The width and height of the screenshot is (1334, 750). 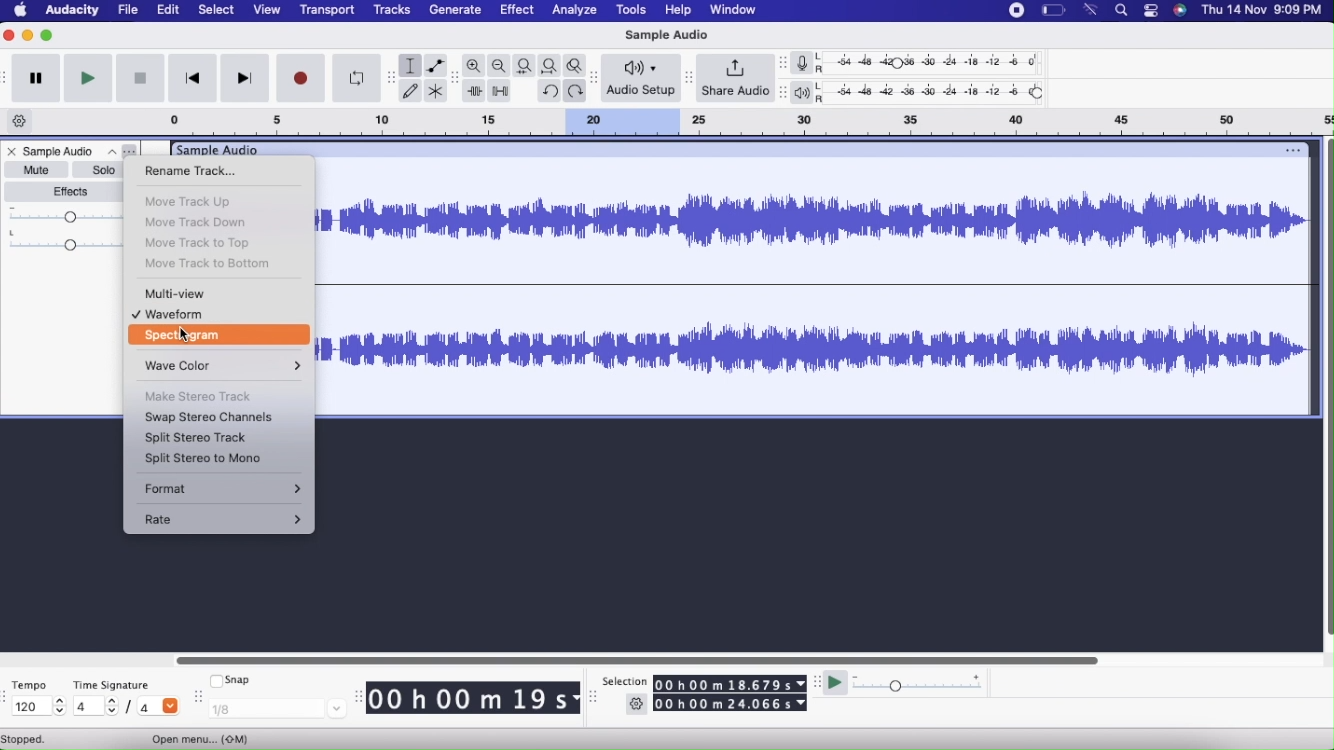 What do you see at coordinates (783, 62) in the screenshot?
I see `move toolbar` at bounding box center [783, 62].